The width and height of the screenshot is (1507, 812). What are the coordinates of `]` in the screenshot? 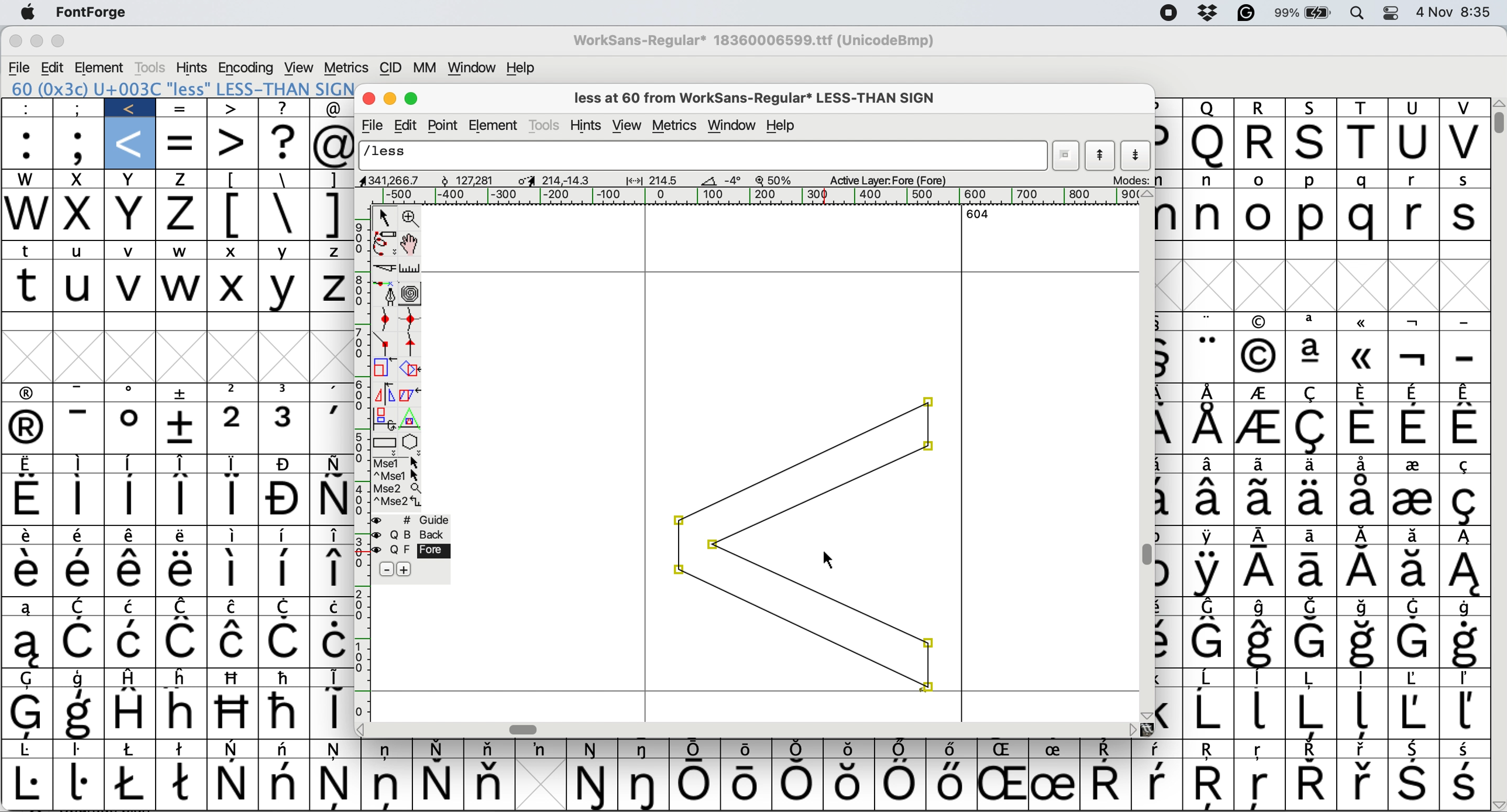 It's located at (329, 214).